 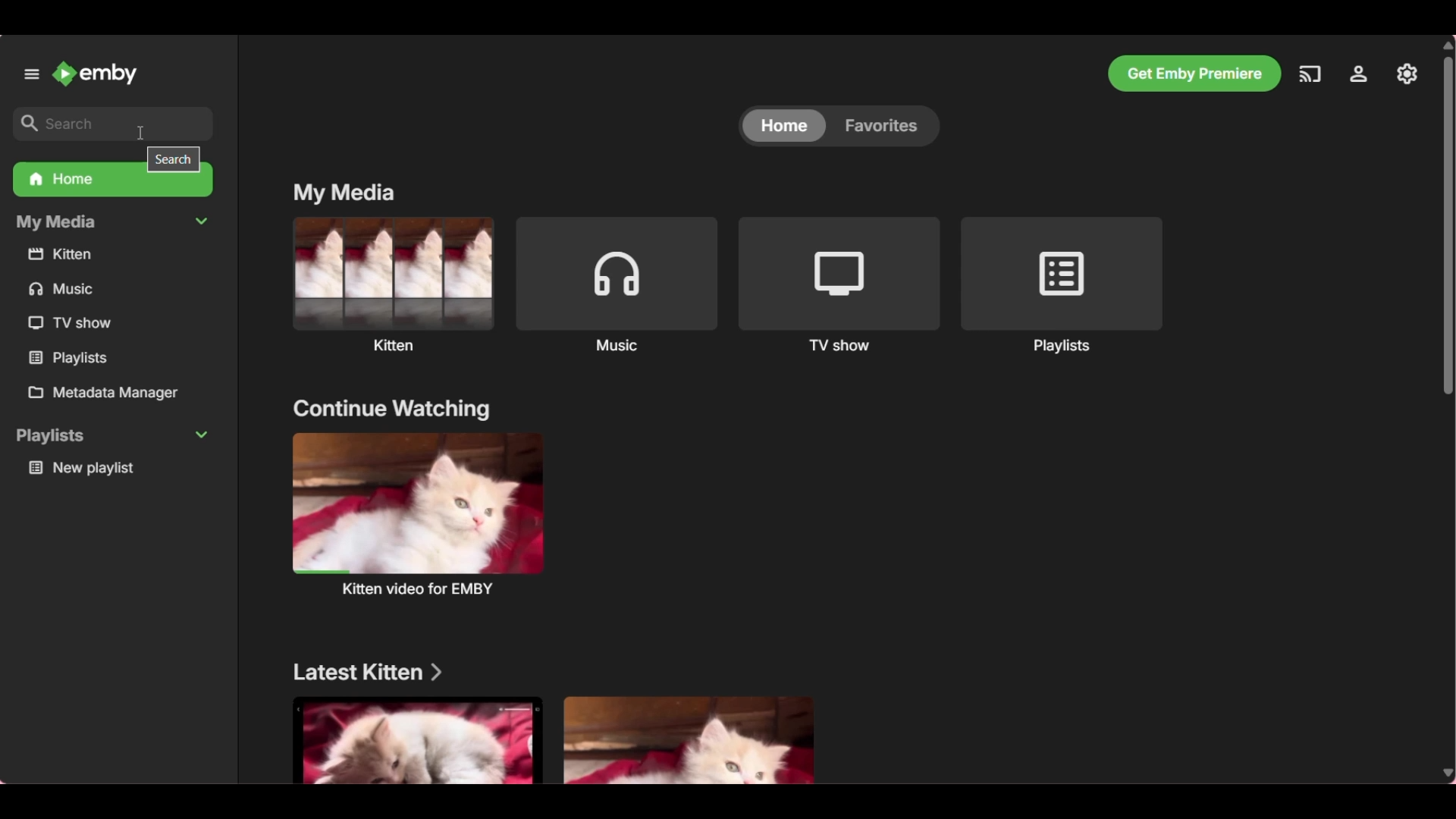 I want to click on Emby, so click(x=96, y=73).